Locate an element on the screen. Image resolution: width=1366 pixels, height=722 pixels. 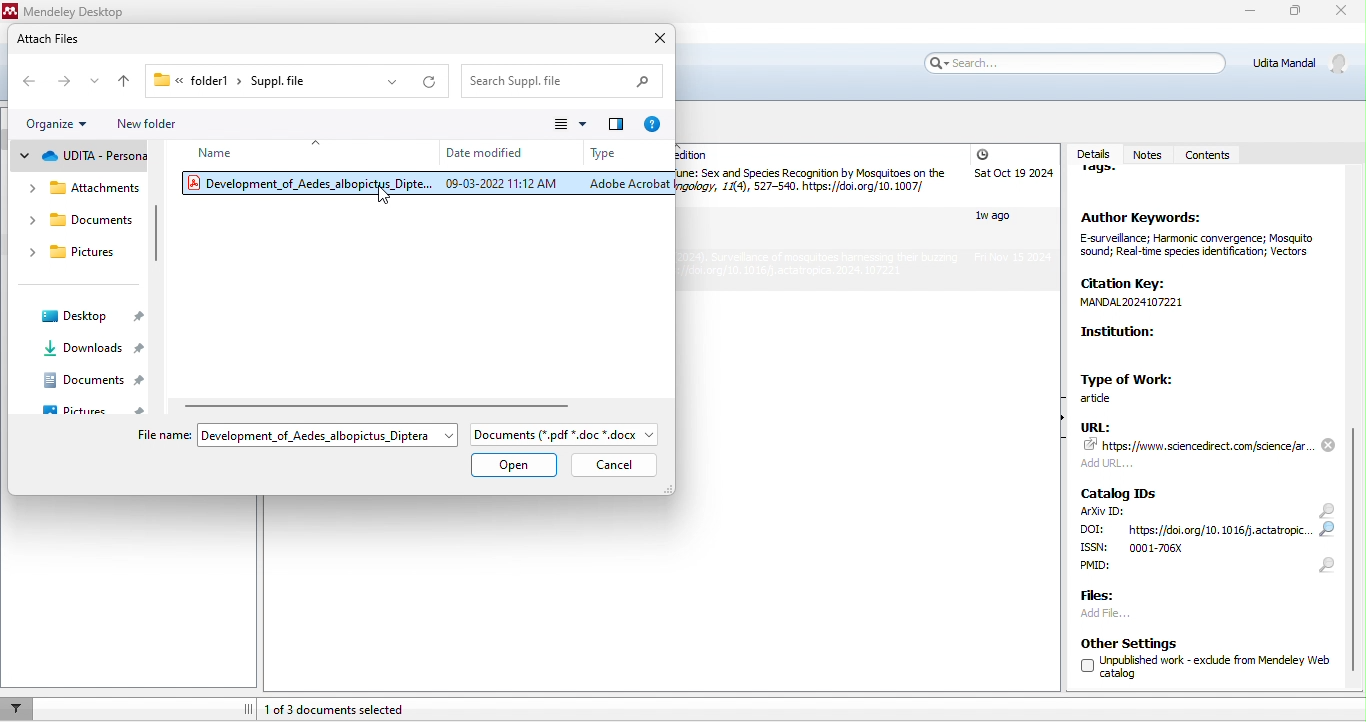
attach files is located at coordinates (67, 40).